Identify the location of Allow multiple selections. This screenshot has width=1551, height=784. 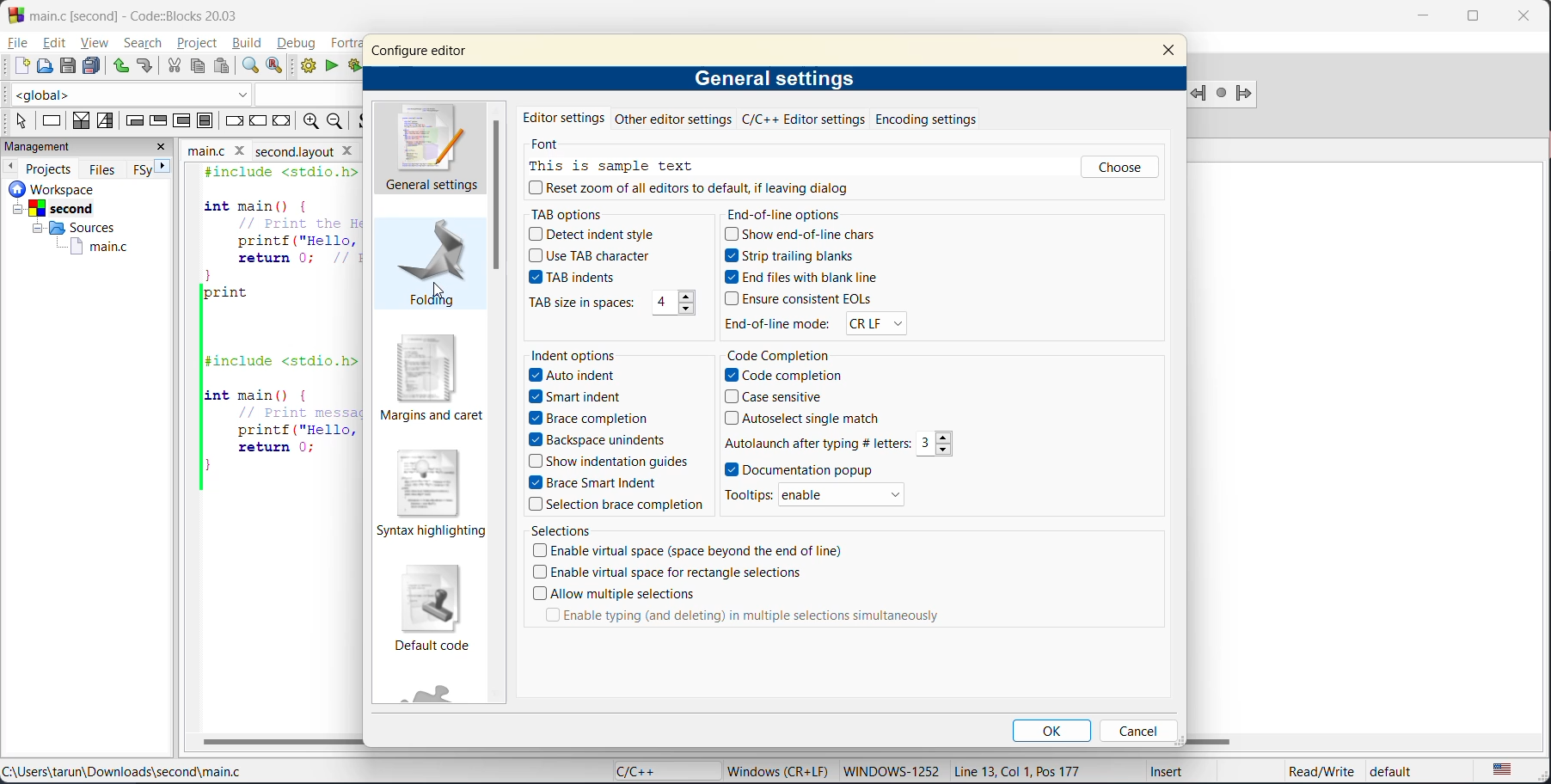
(617, 595).